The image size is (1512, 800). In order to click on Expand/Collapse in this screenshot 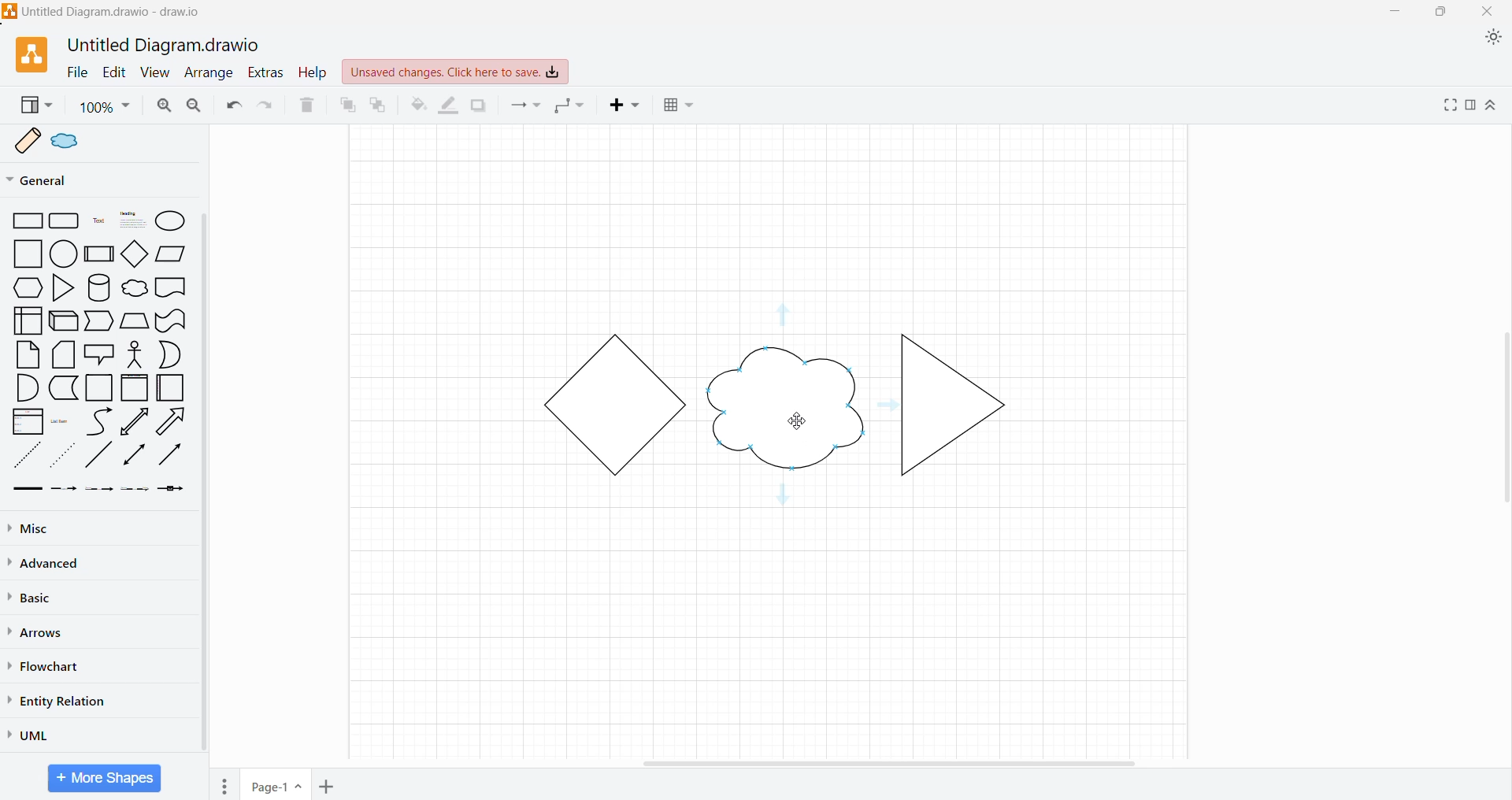, I will do `click(1491, 107)`.